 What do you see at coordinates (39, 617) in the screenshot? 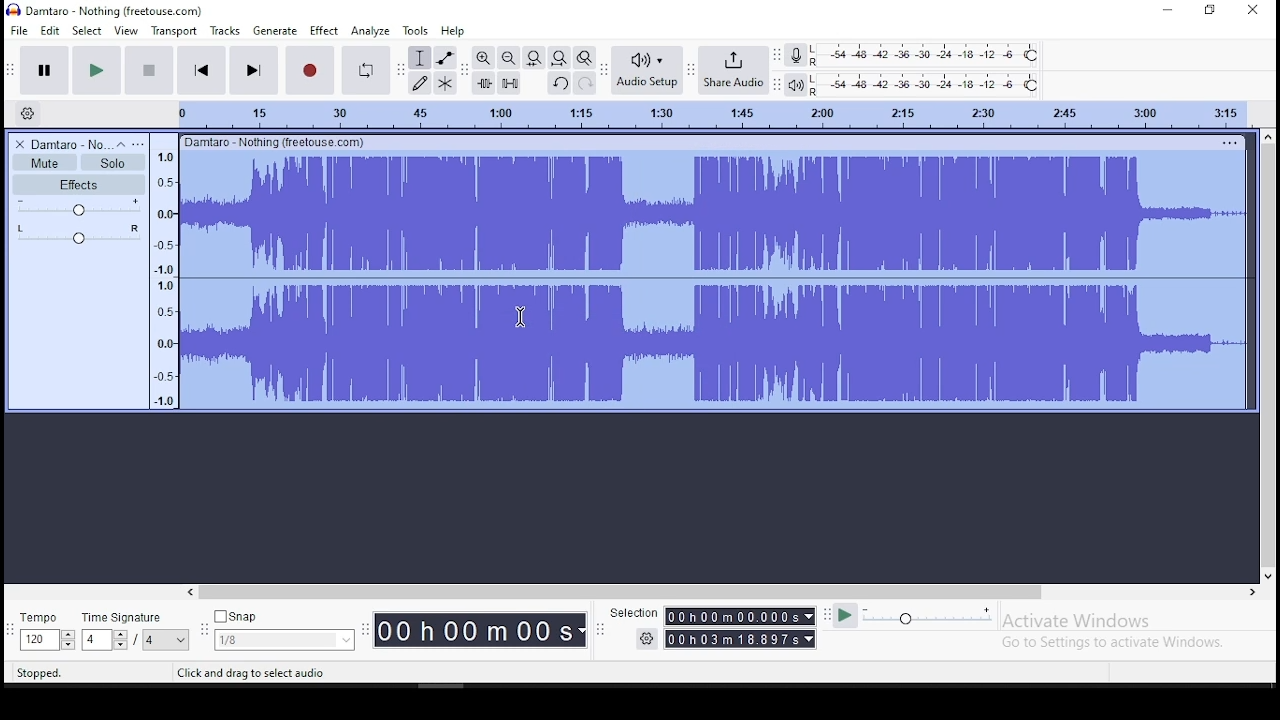
I see `tempo` at bounding box center [39, 617].